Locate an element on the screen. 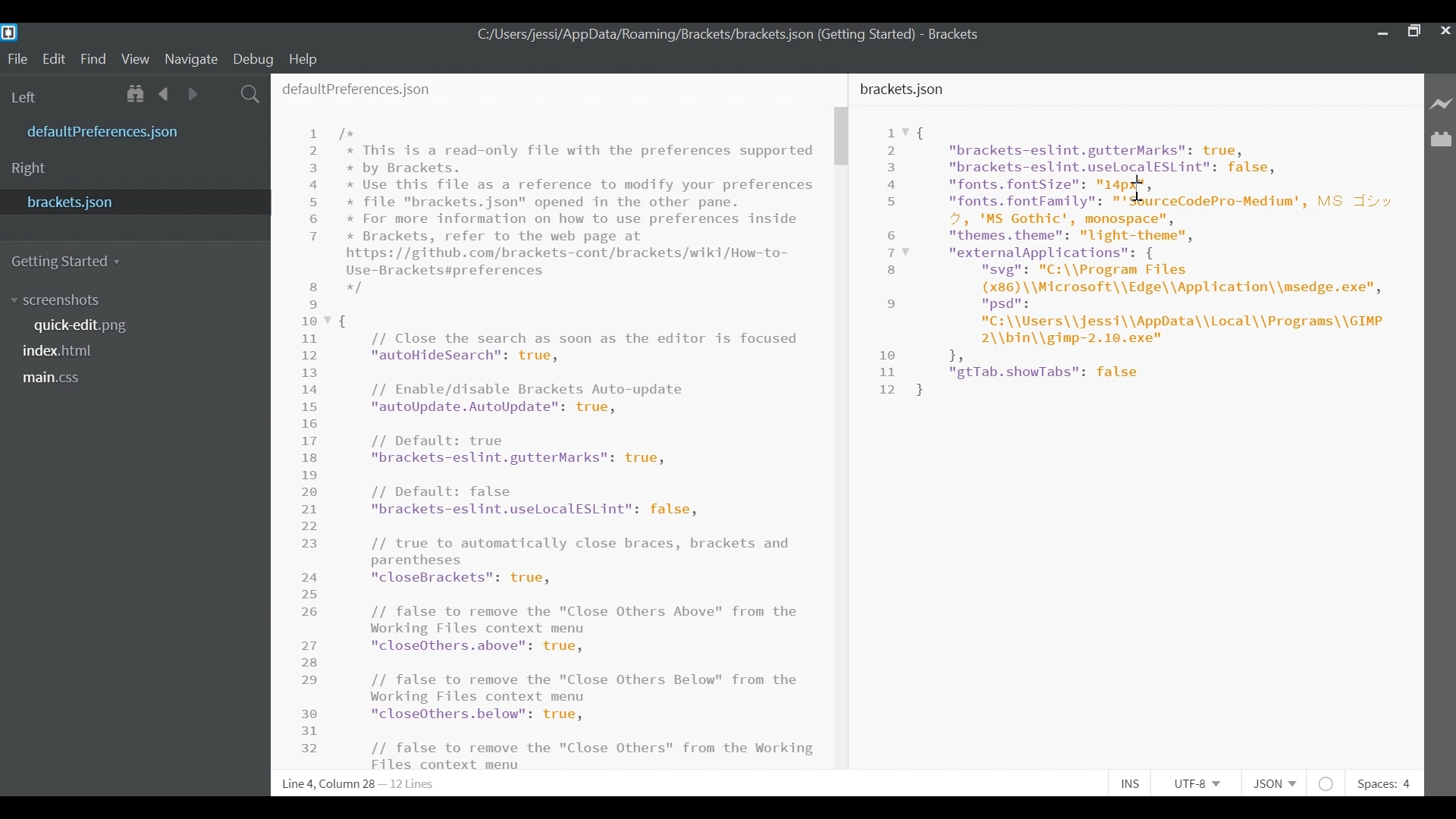 The image size is (1456, 819). bracket.json is located at coordinates (130, 203).